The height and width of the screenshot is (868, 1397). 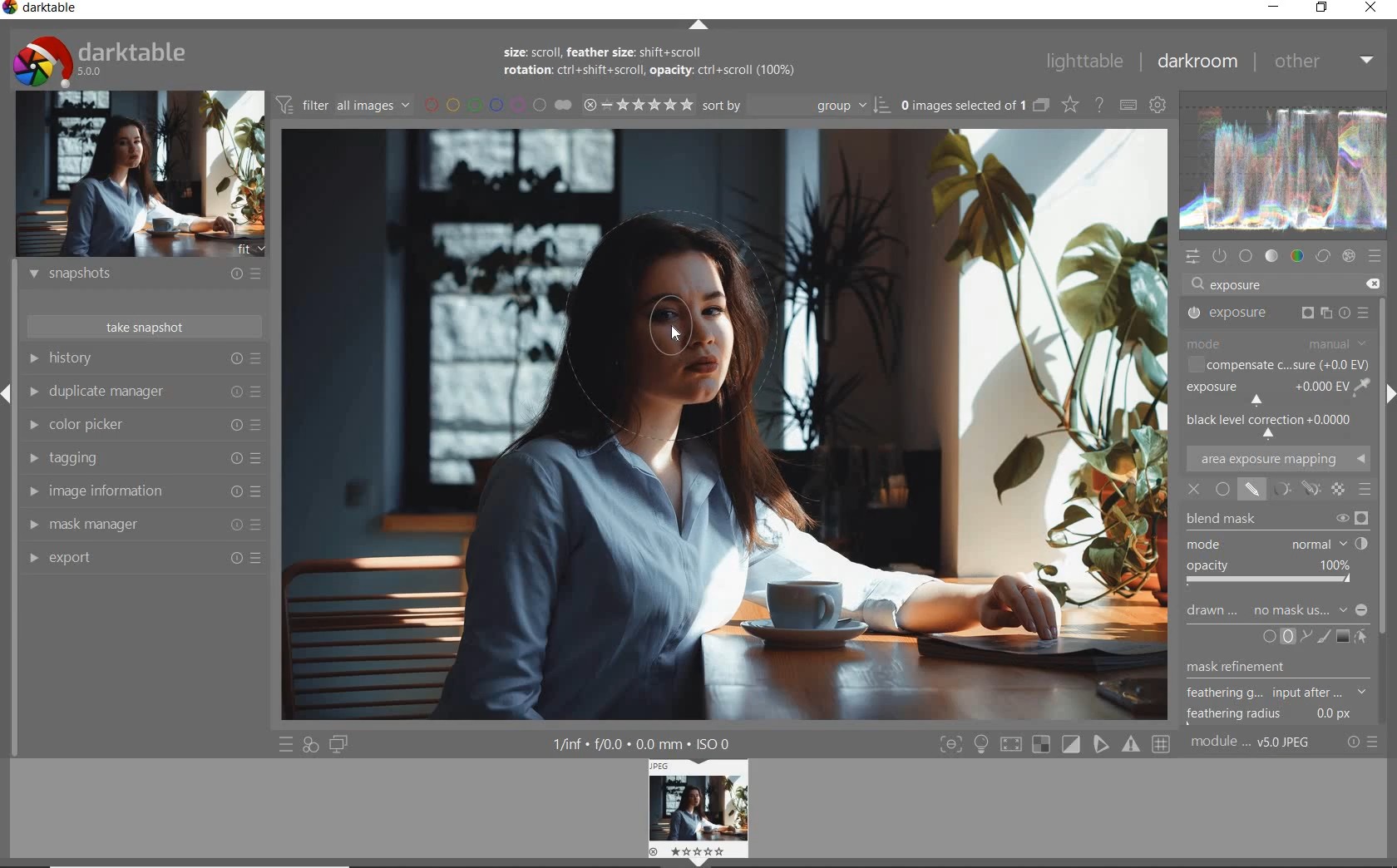 I want to click on ADD PATH, so click(x=1303, y=638).